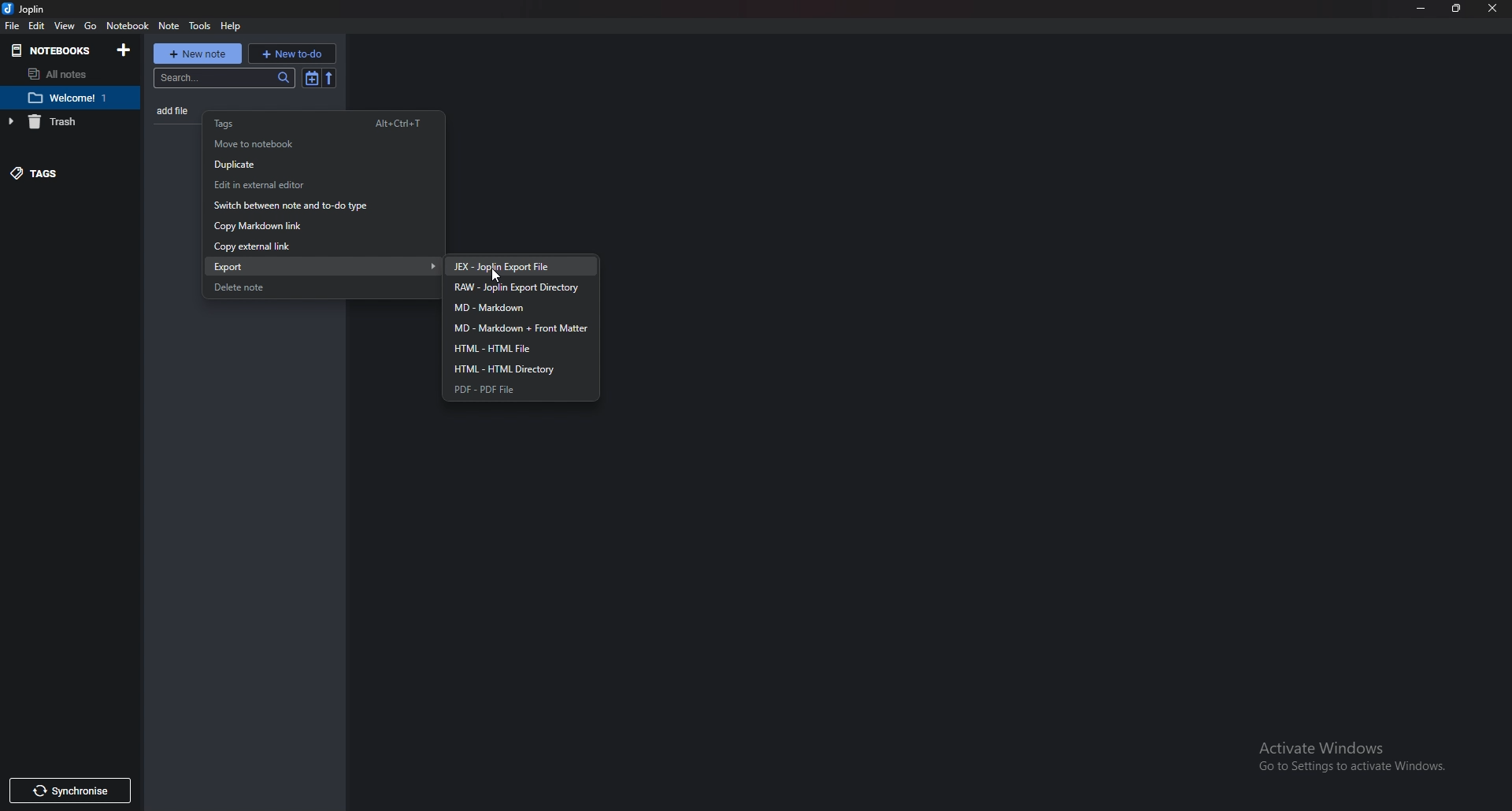  What do you see at coordinates (521, 328) in the screenshot?
I see `markdown + front matter` at bounding box center [521, 328].